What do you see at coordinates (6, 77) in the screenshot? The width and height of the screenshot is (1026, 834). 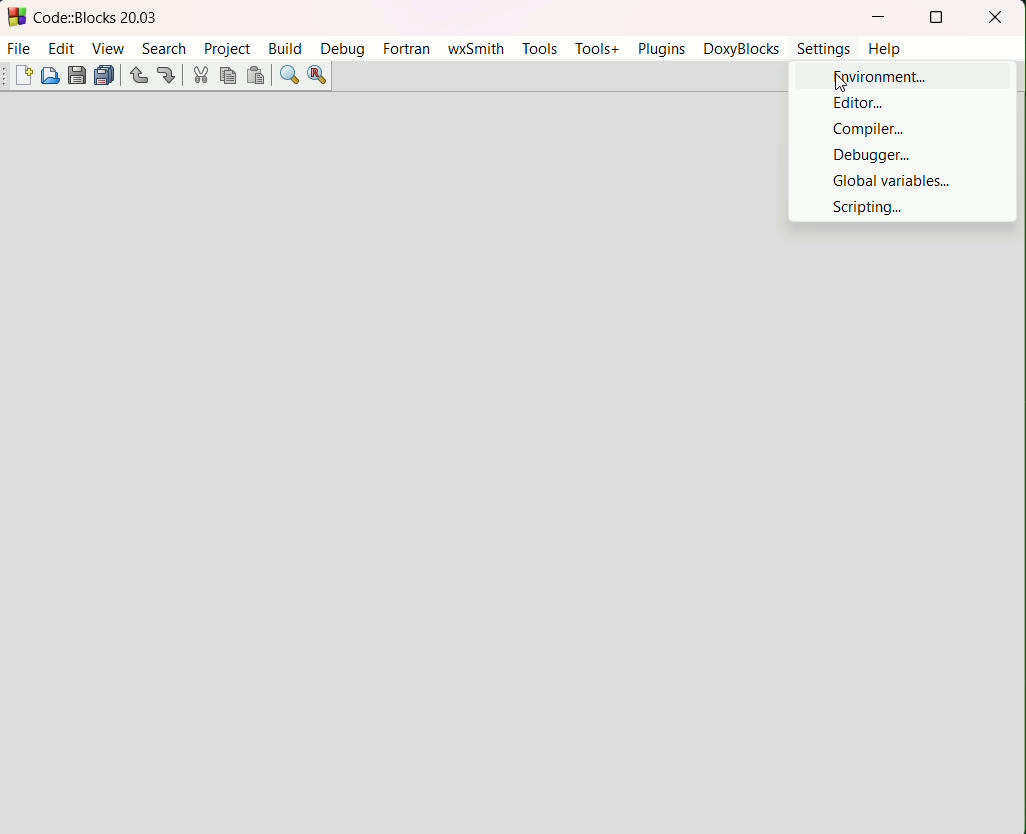 I see `` at bounding box center [6, 77].